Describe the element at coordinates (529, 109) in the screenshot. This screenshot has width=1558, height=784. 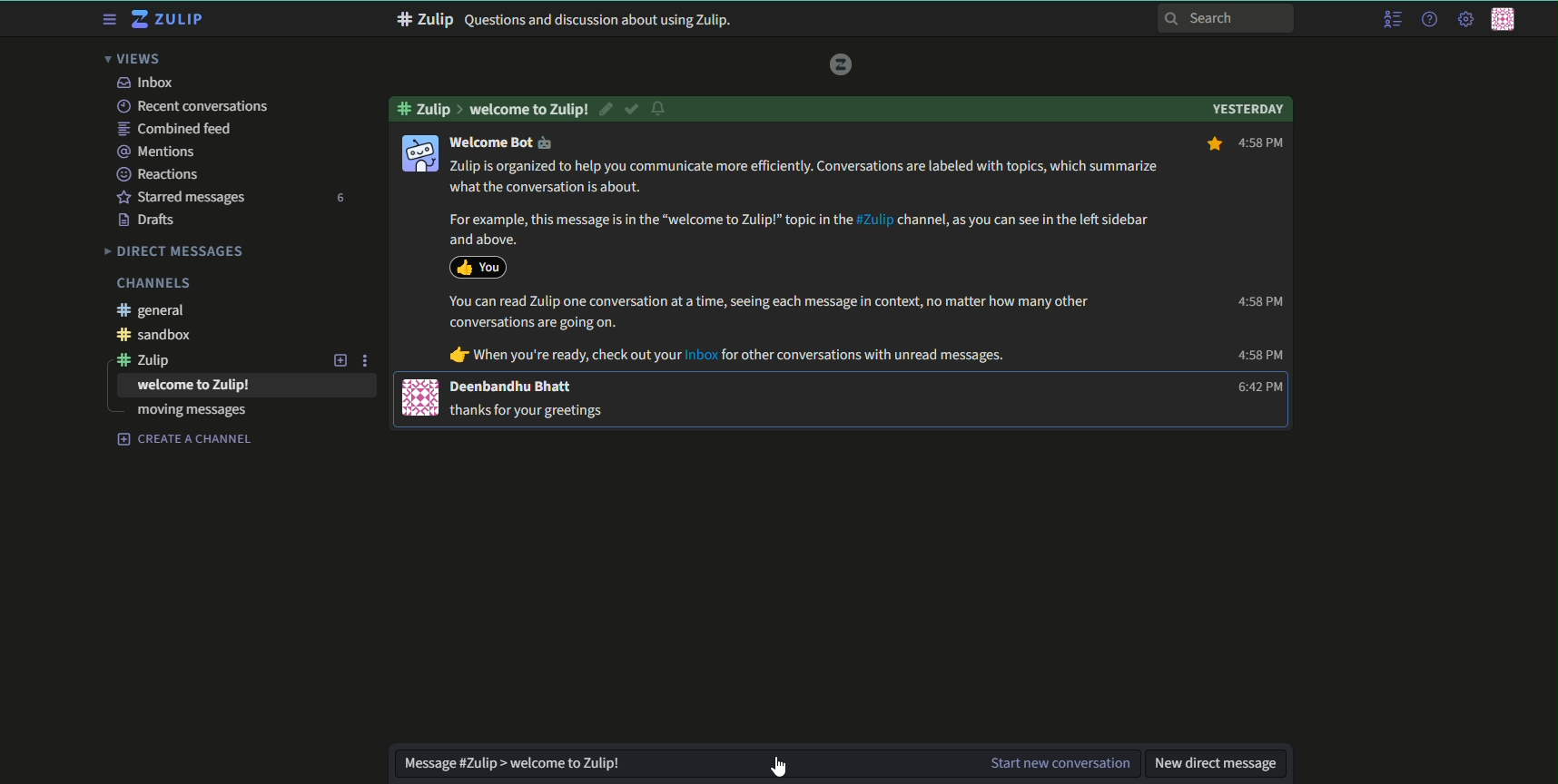
I see `Welcome to Zulip!` at that location.